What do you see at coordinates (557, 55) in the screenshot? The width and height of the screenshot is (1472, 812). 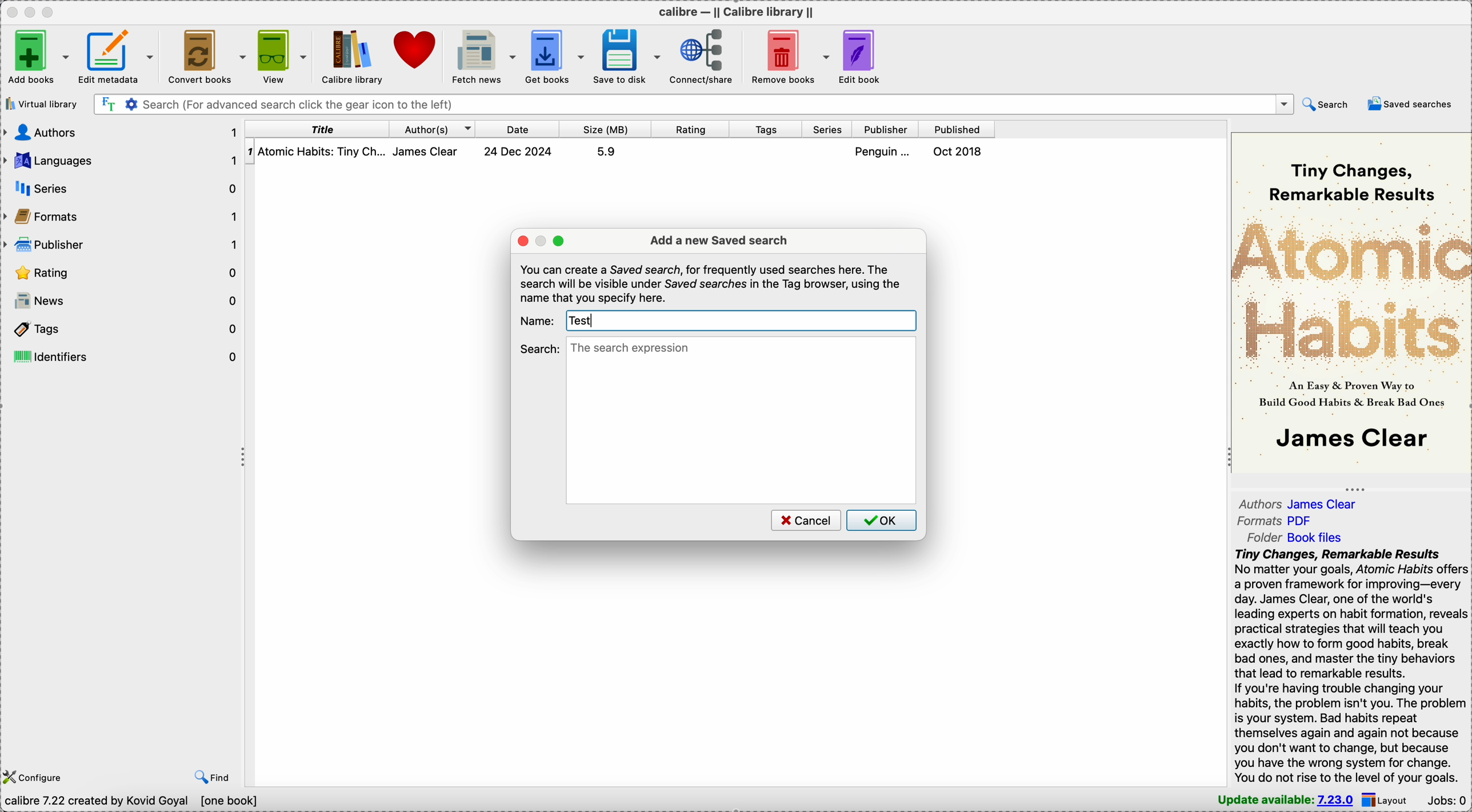 I see `get books` at bounding box center [557, 55].